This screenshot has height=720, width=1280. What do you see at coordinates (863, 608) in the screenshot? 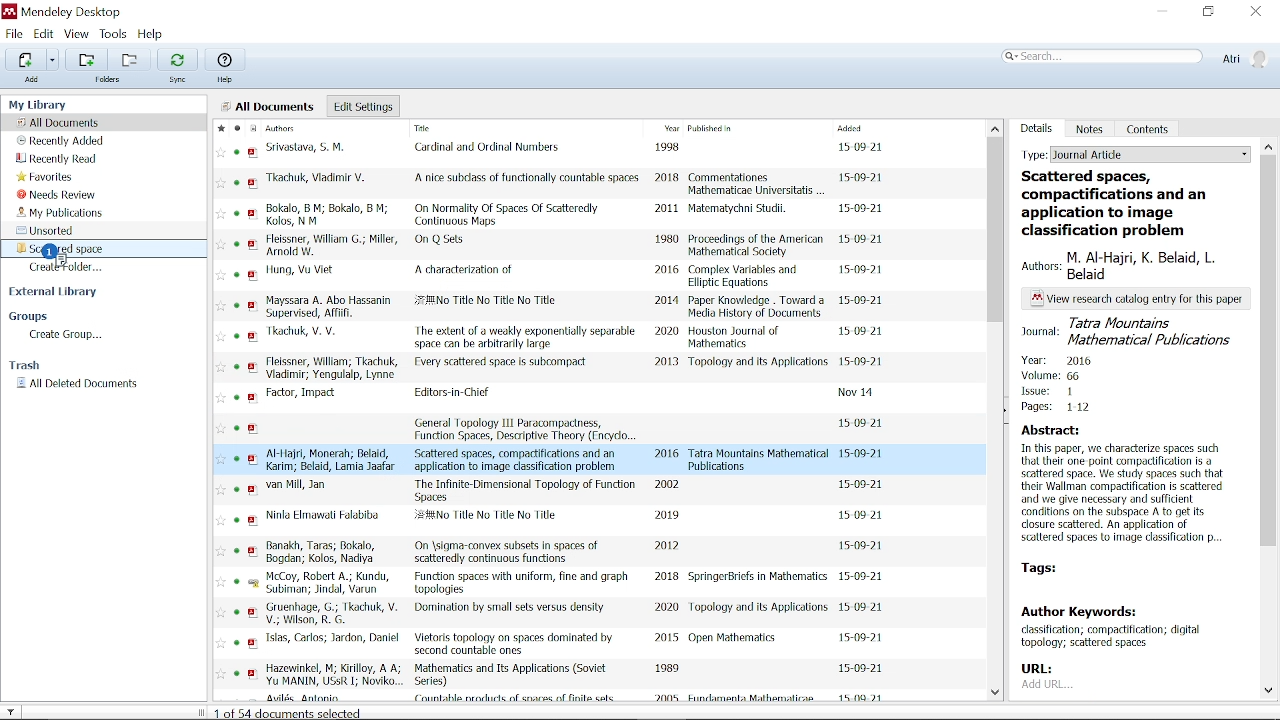
I see `date` at bounding box center [863, 608].